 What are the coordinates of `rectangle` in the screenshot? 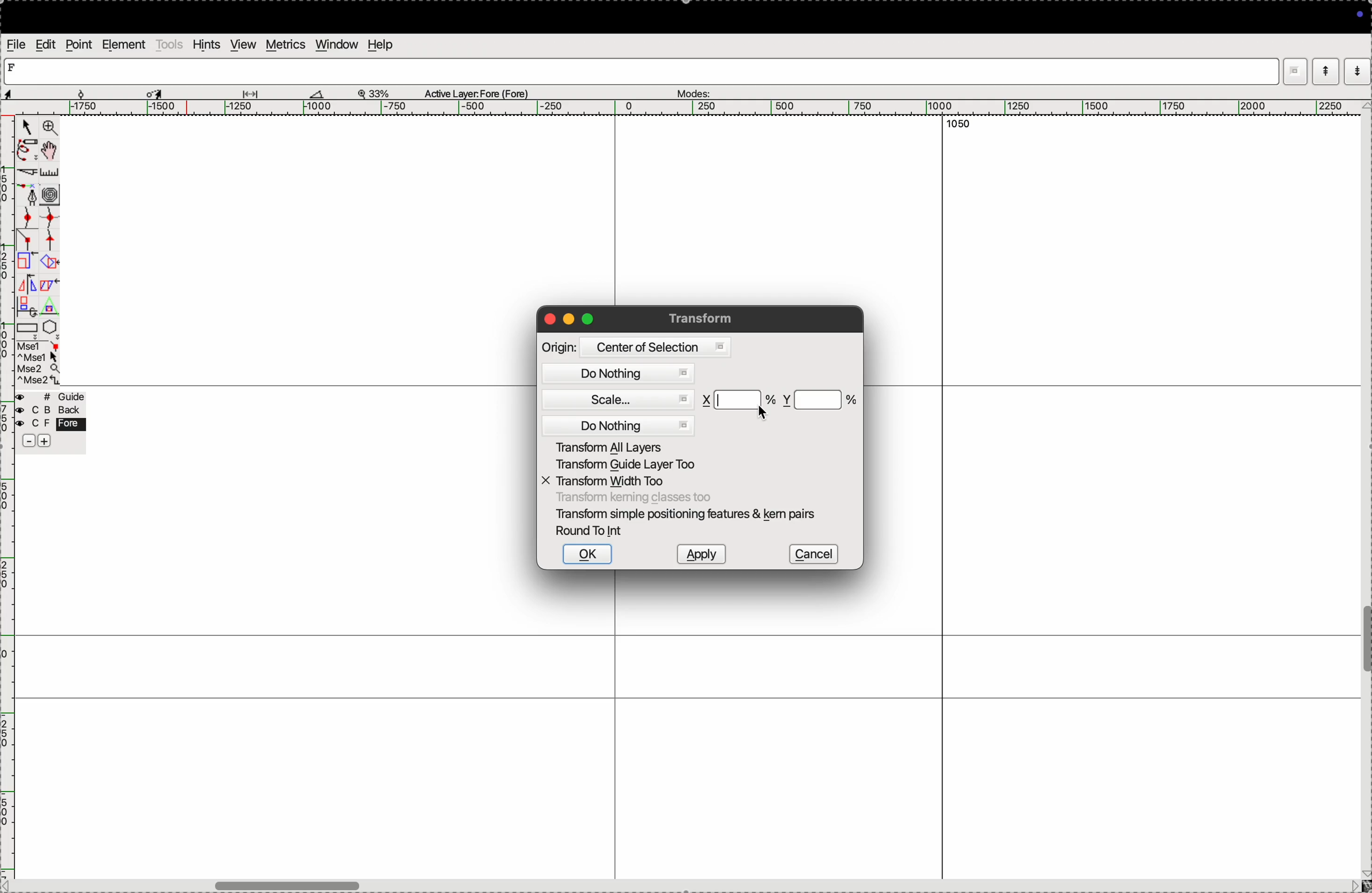 It's located at (27, 330).